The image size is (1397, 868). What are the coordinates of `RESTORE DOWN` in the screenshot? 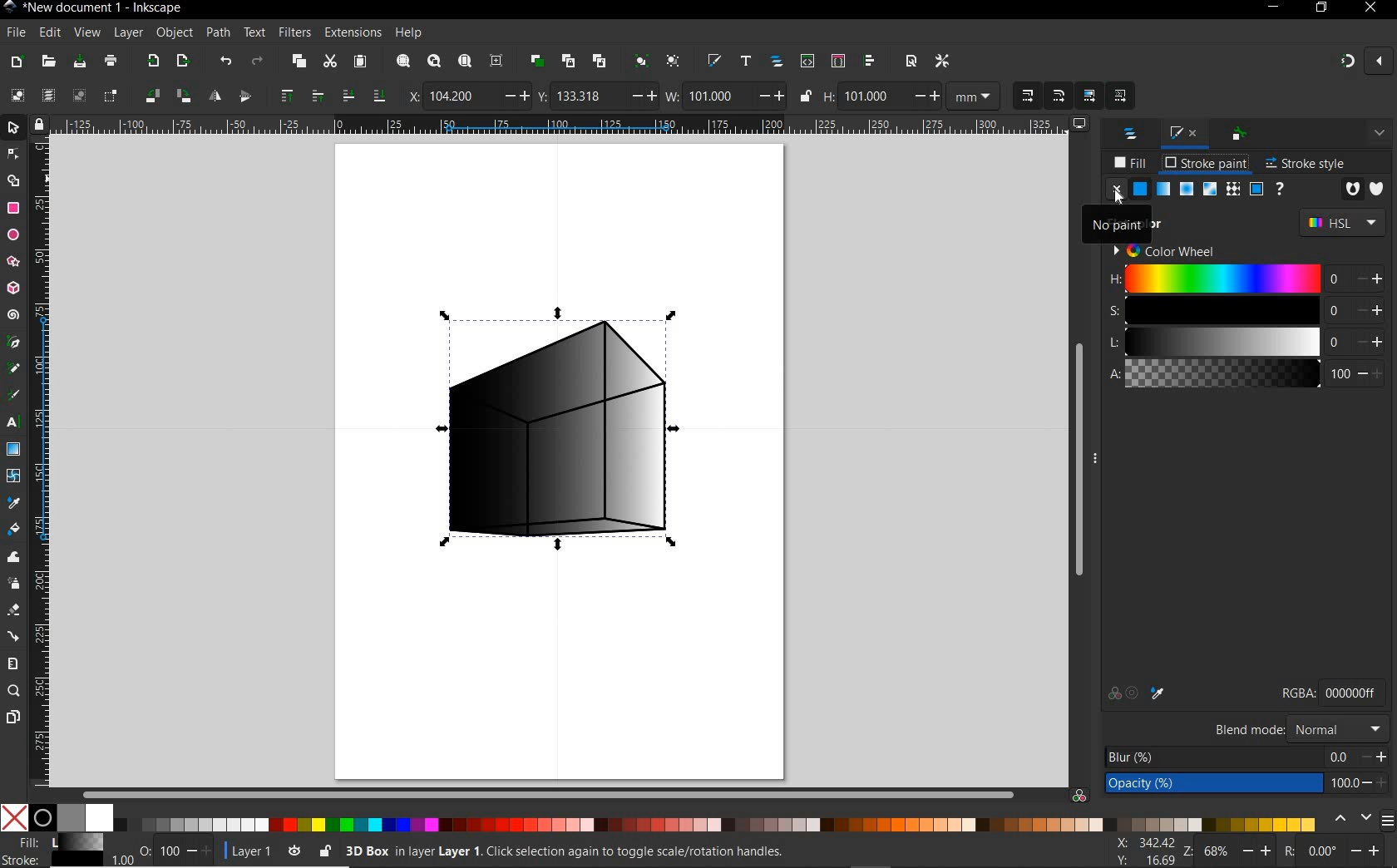 It's located at (1320, 7).